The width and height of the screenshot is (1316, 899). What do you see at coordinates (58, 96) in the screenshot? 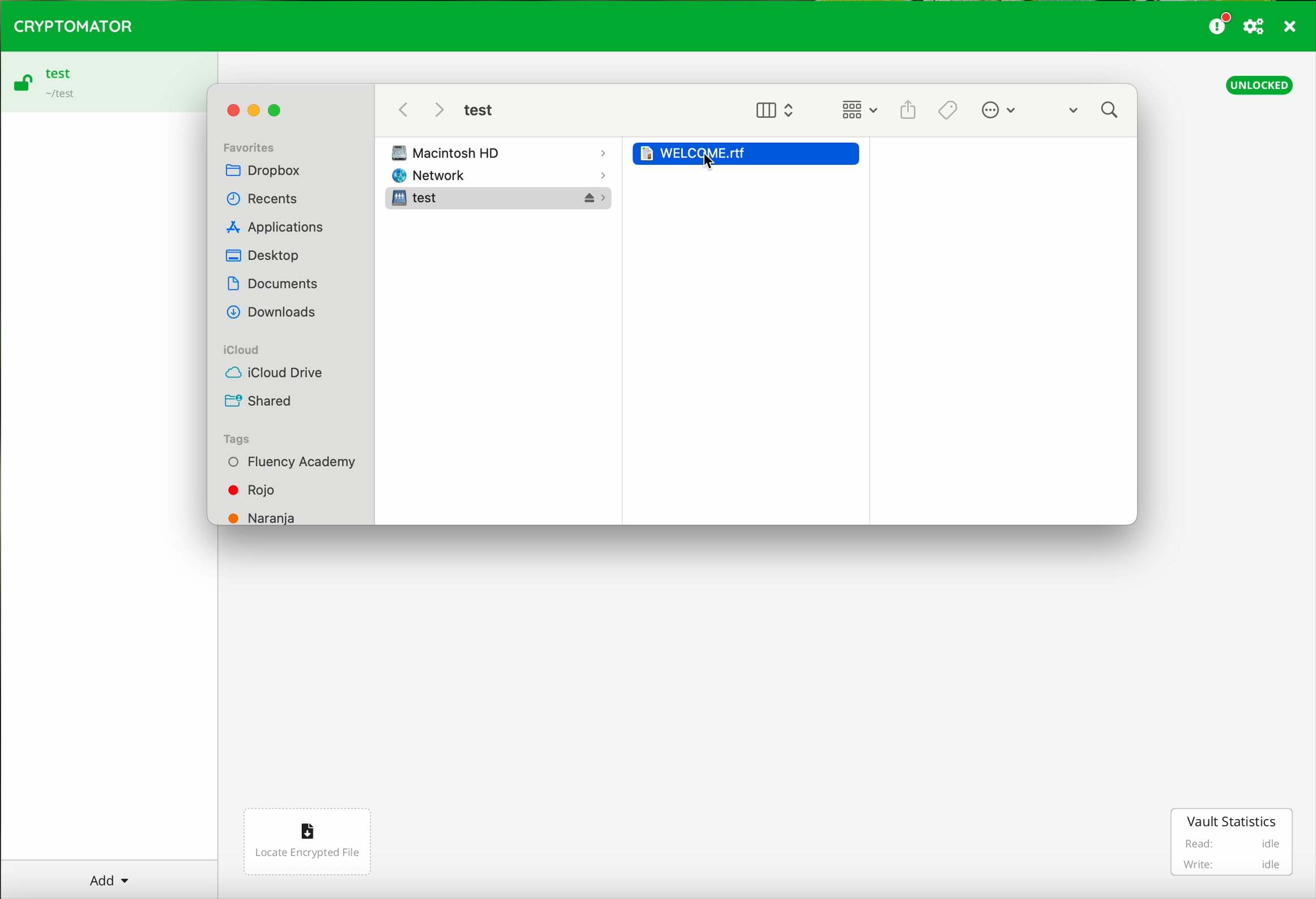
I see `~/test` at bounding box center [58, 96].